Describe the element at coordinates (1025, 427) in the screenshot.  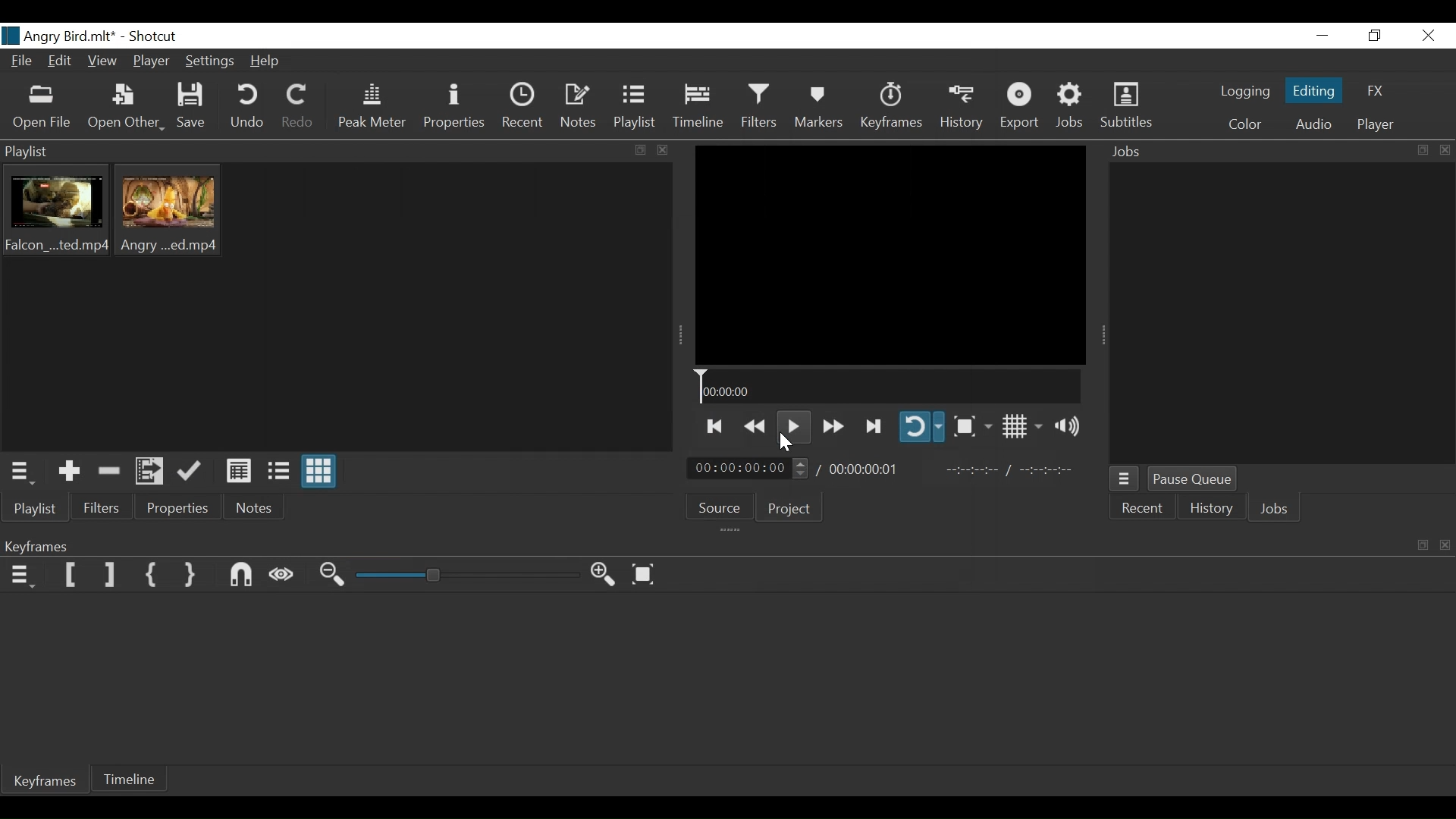
I see `Toggle display grid on player` at that location.